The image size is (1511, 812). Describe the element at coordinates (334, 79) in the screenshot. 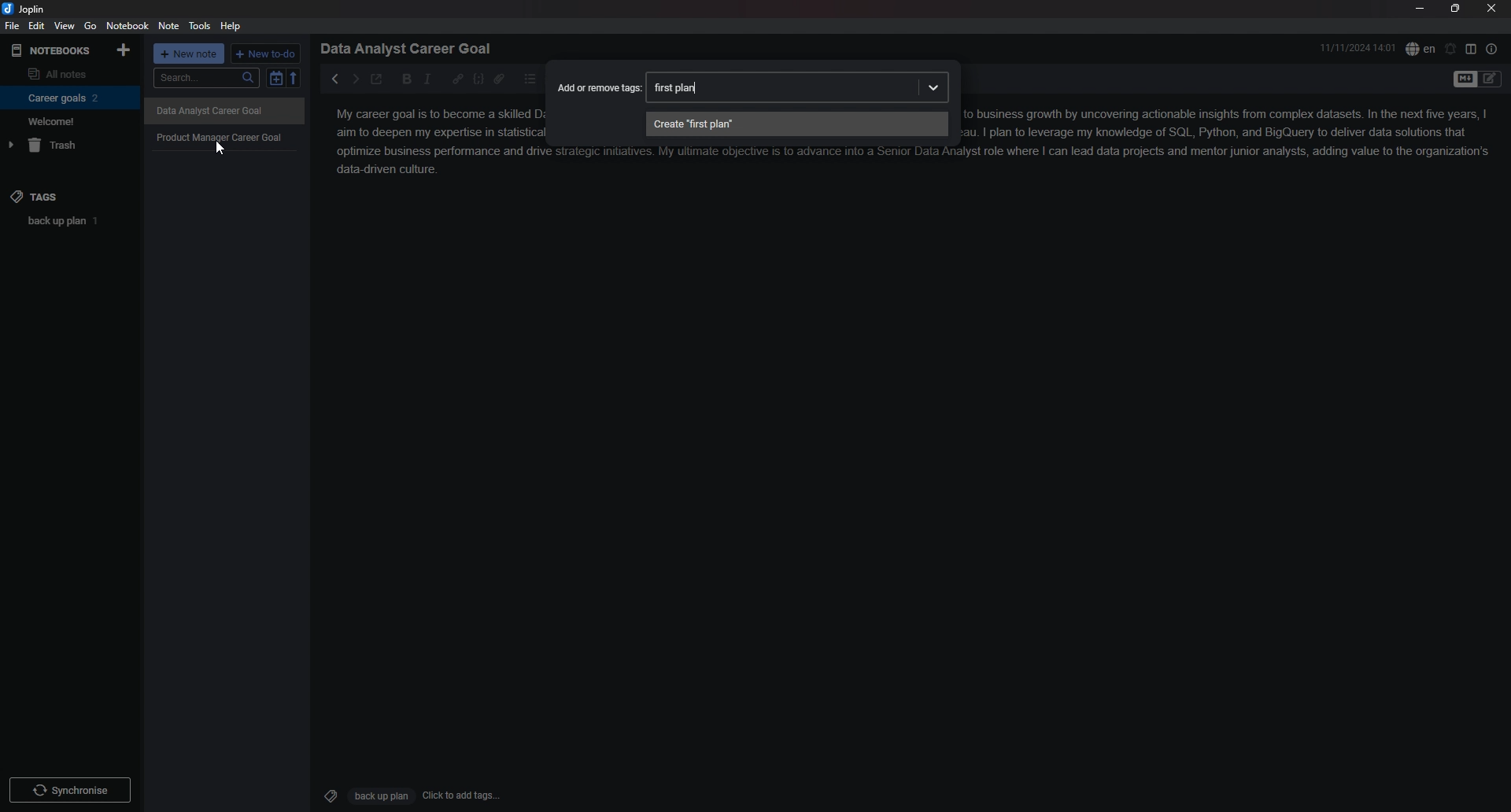

I see `previous` at that location.